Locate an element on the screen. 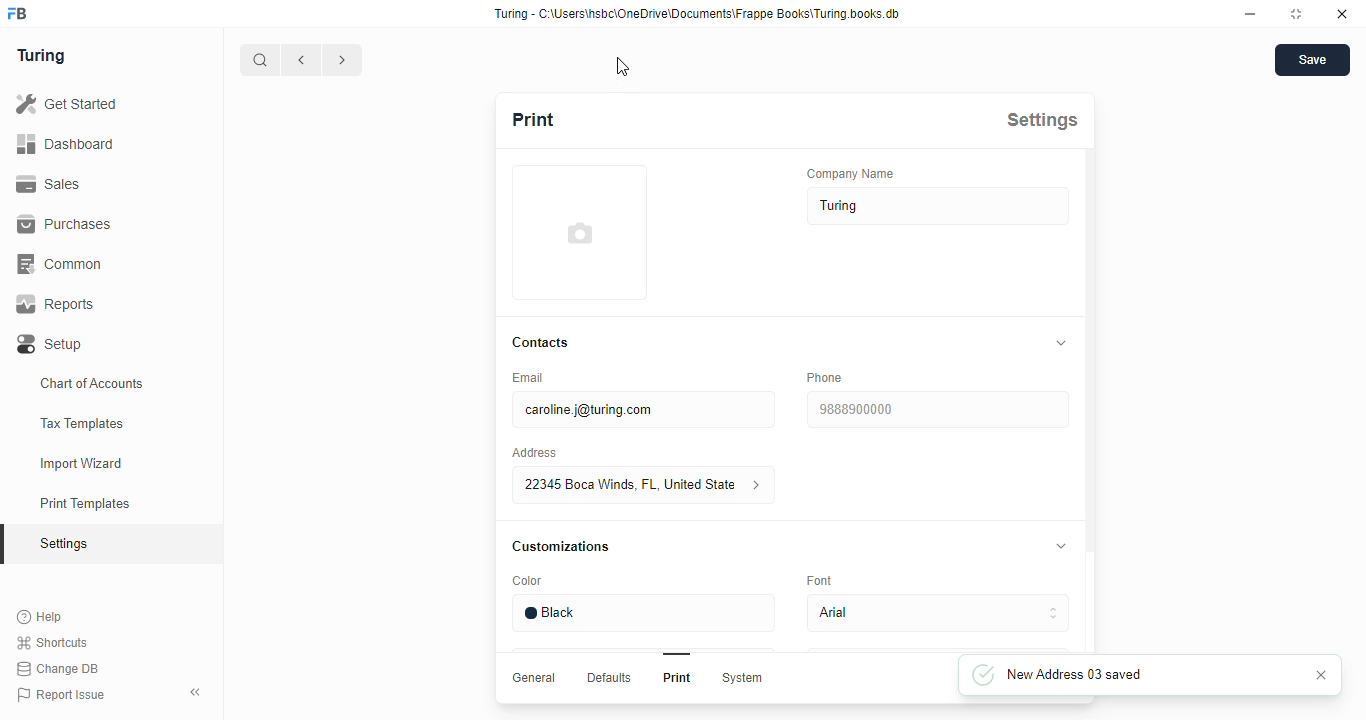 The width and height of the screenshot is (1366, 720). System is located at coordinates (744, 679).